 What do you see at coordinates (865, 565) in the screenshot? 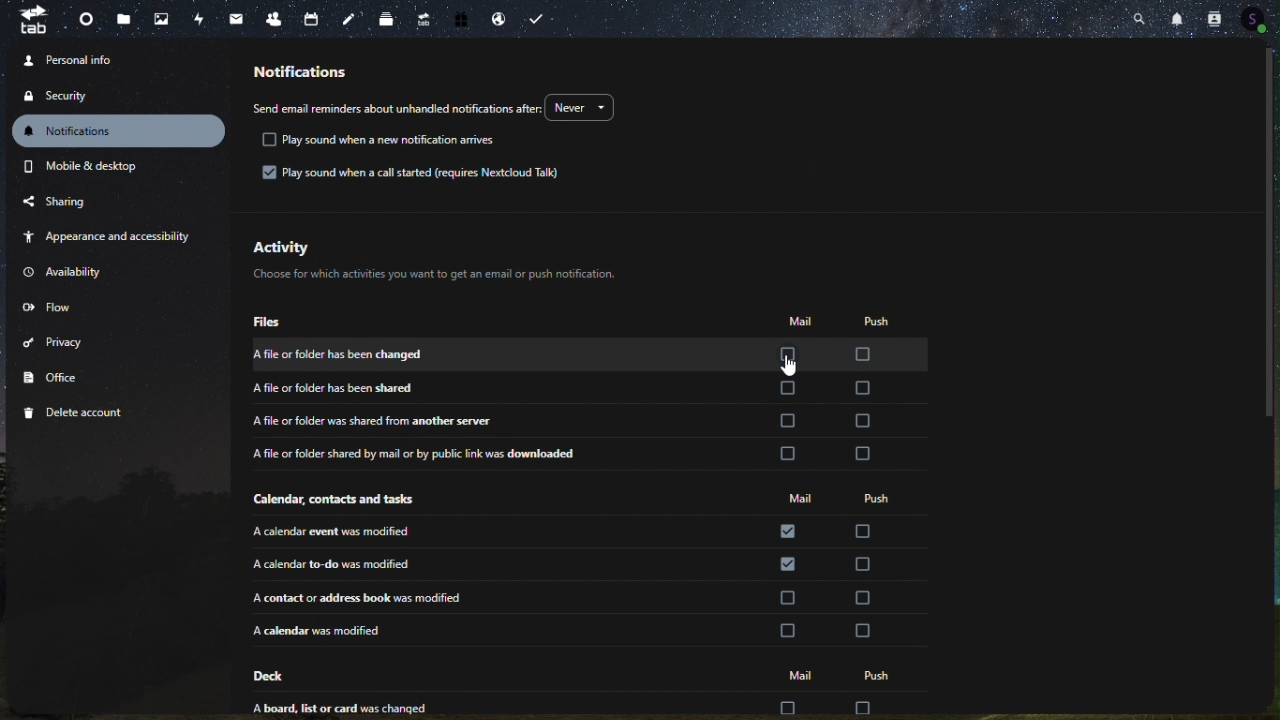
I see `check box` at bounding box center [865, 565].